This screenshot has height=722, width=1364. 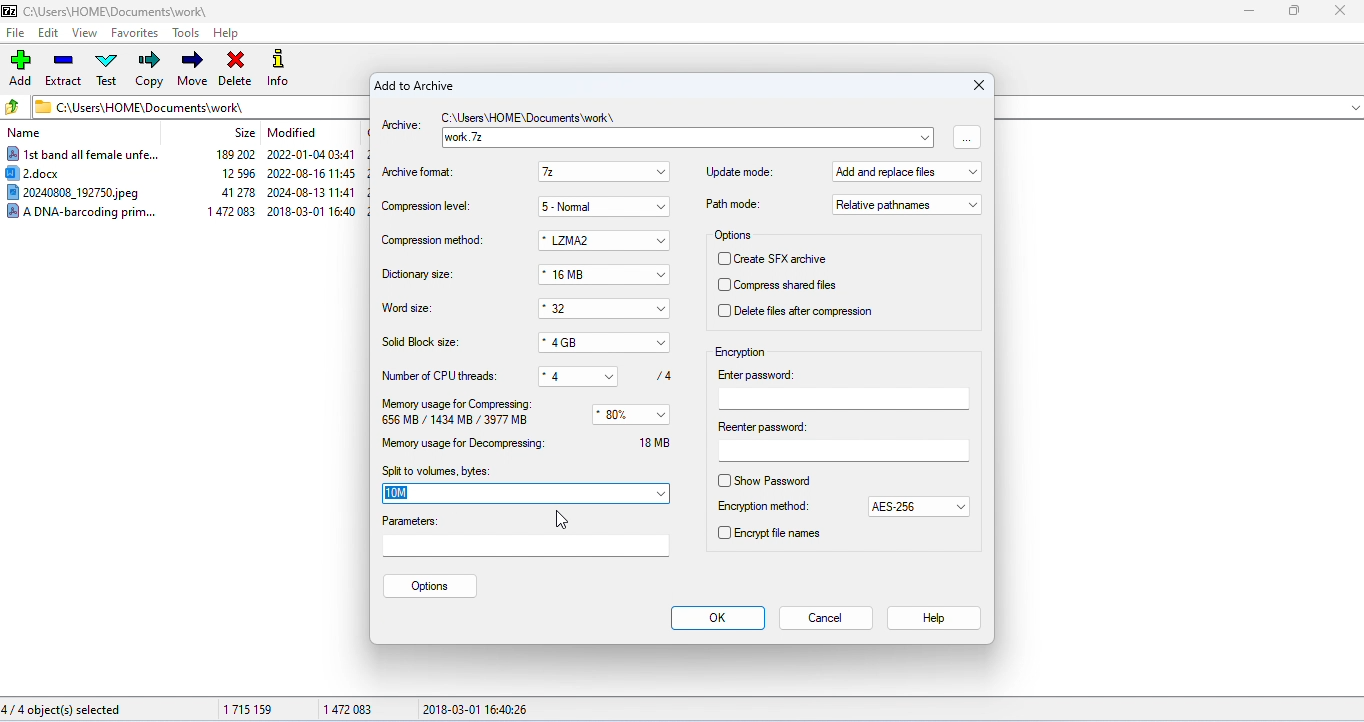 I want to click on split to volumes. bytes: , so click(x=436, y=471).